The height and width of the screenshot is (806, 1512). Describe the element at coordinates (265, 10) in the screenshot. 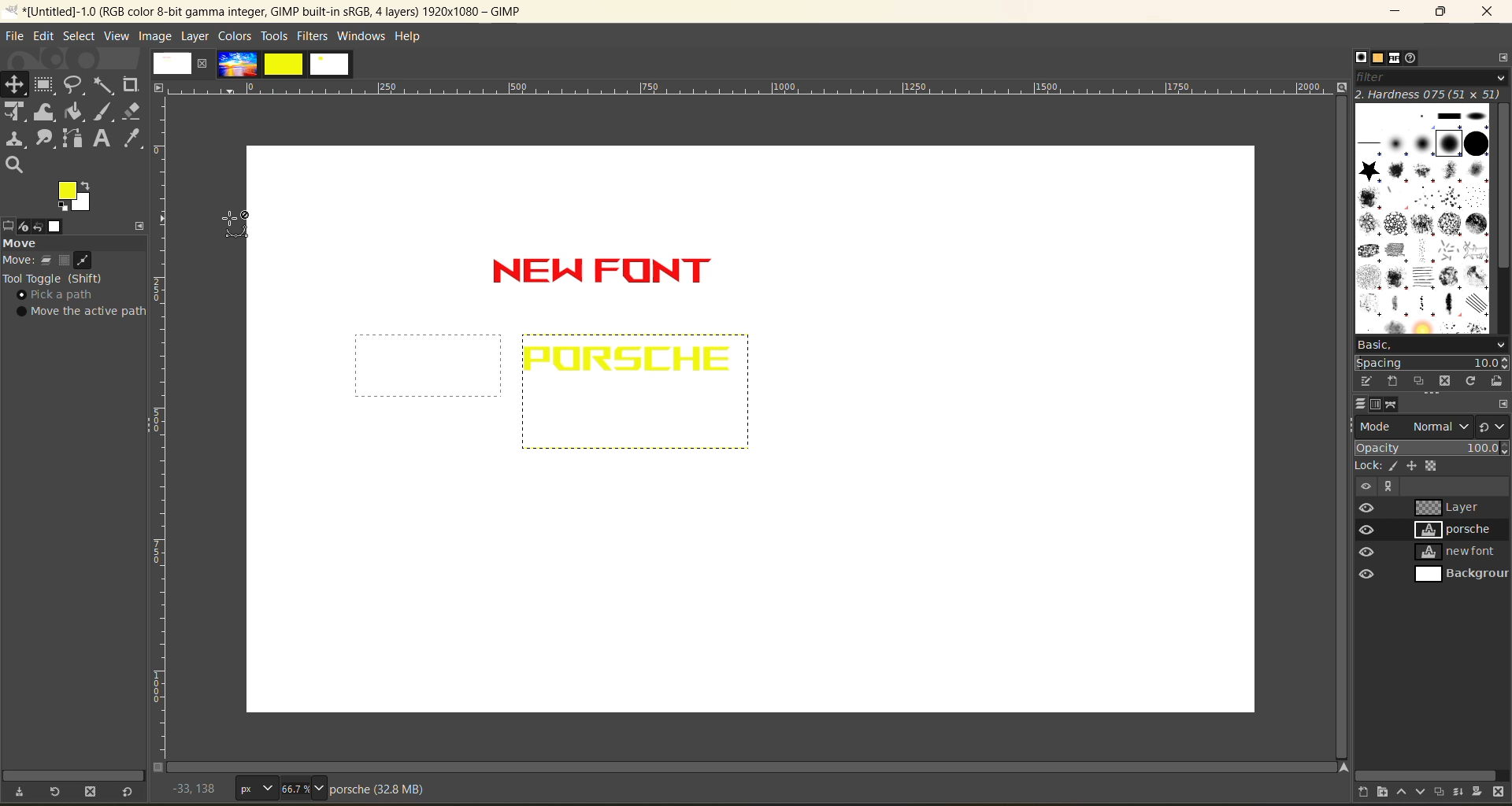

I see `app name and file name` at that location.